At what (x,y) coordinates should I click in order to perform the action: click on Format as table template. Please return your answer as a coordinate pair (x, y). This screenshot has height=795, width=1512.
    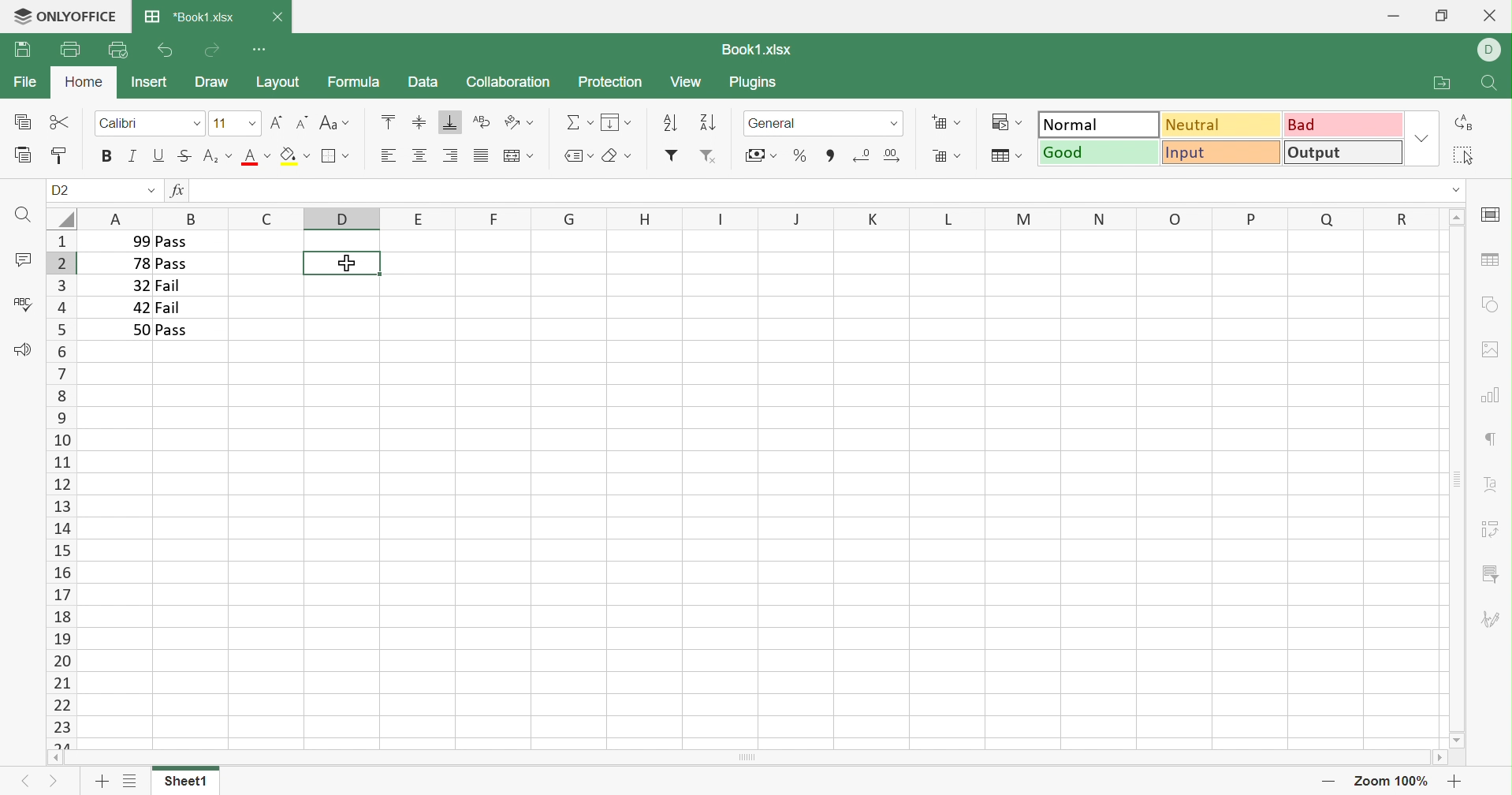
    Looking at the image, I should click on (1004, 156).